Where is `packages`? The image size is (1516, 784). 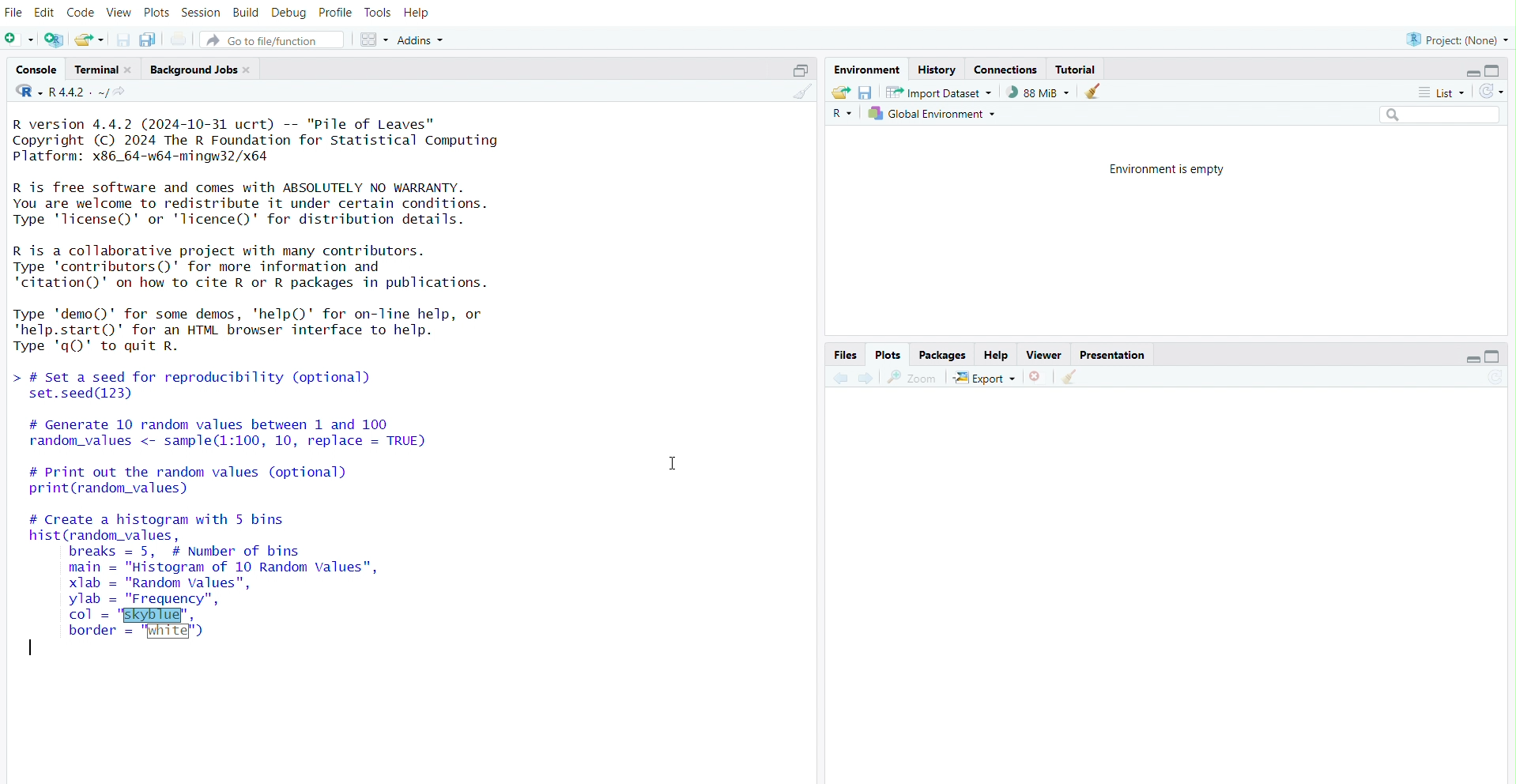
packages is located at coordinates (941, 354).